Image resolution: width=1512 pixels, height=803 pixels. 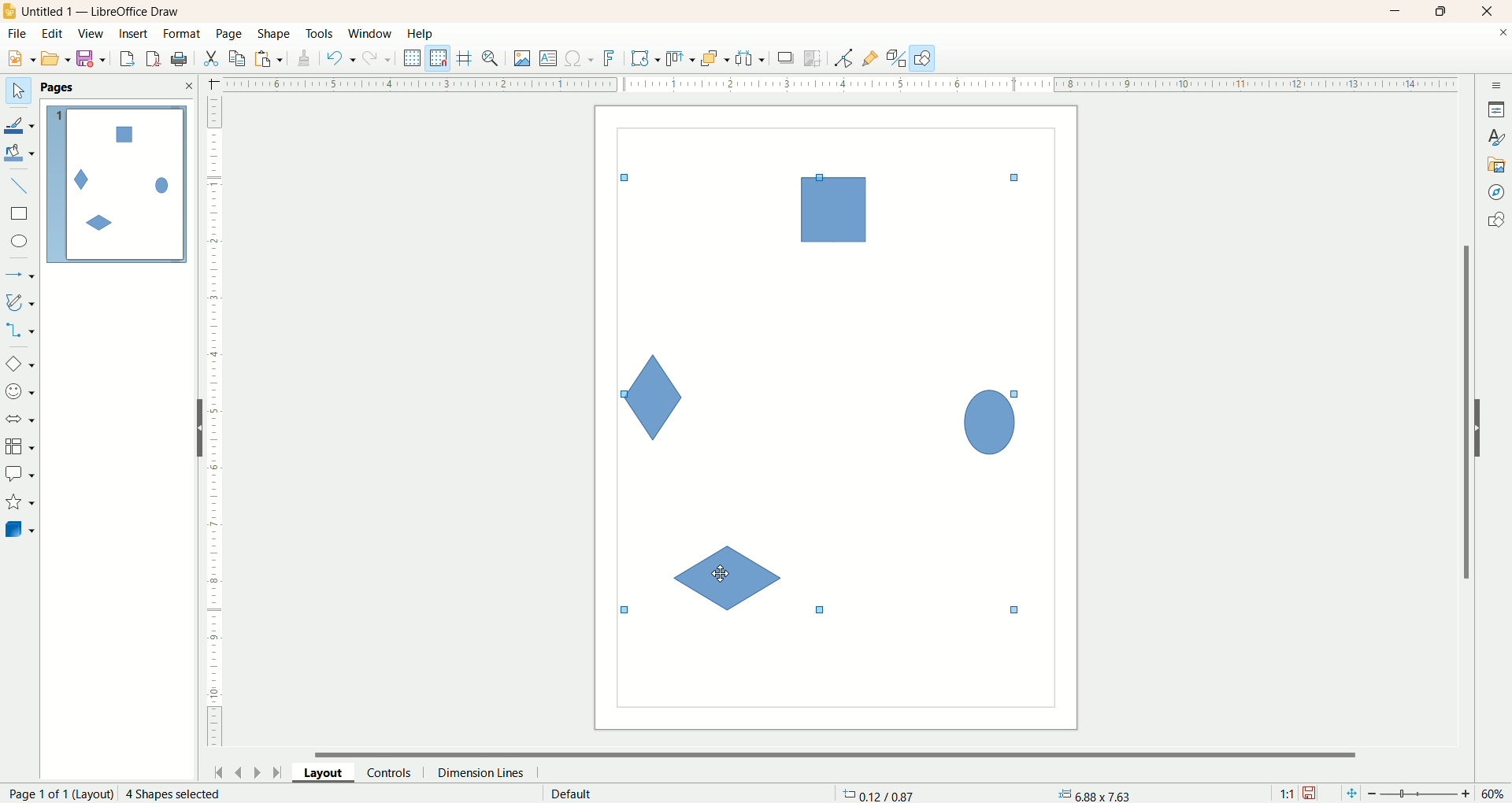 What do you see at coordinates (923, 57) in the screenshot?
I see `draw function` at bounding box center [923, 57].